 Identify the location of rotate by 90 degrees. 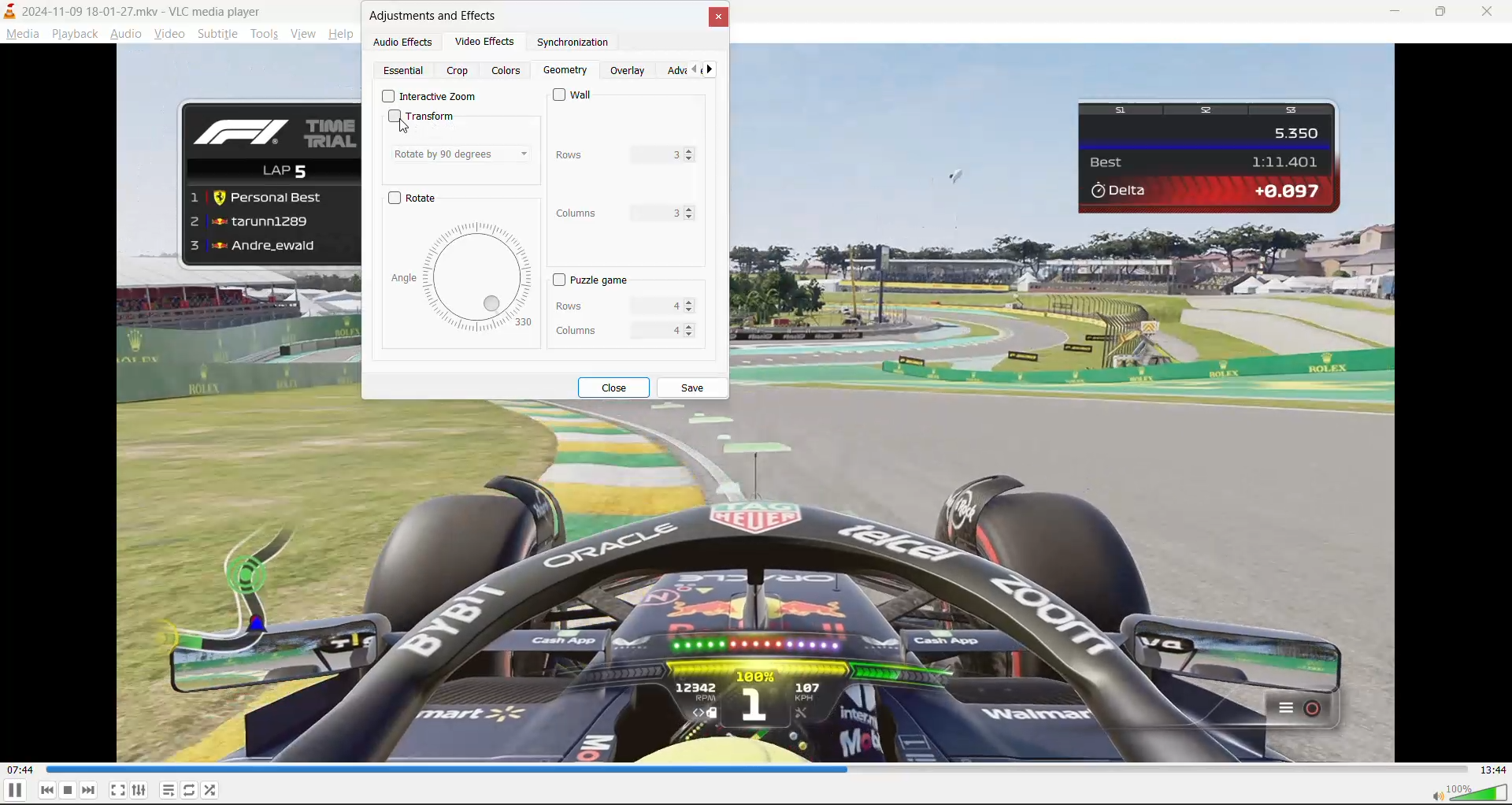
(464, 154).